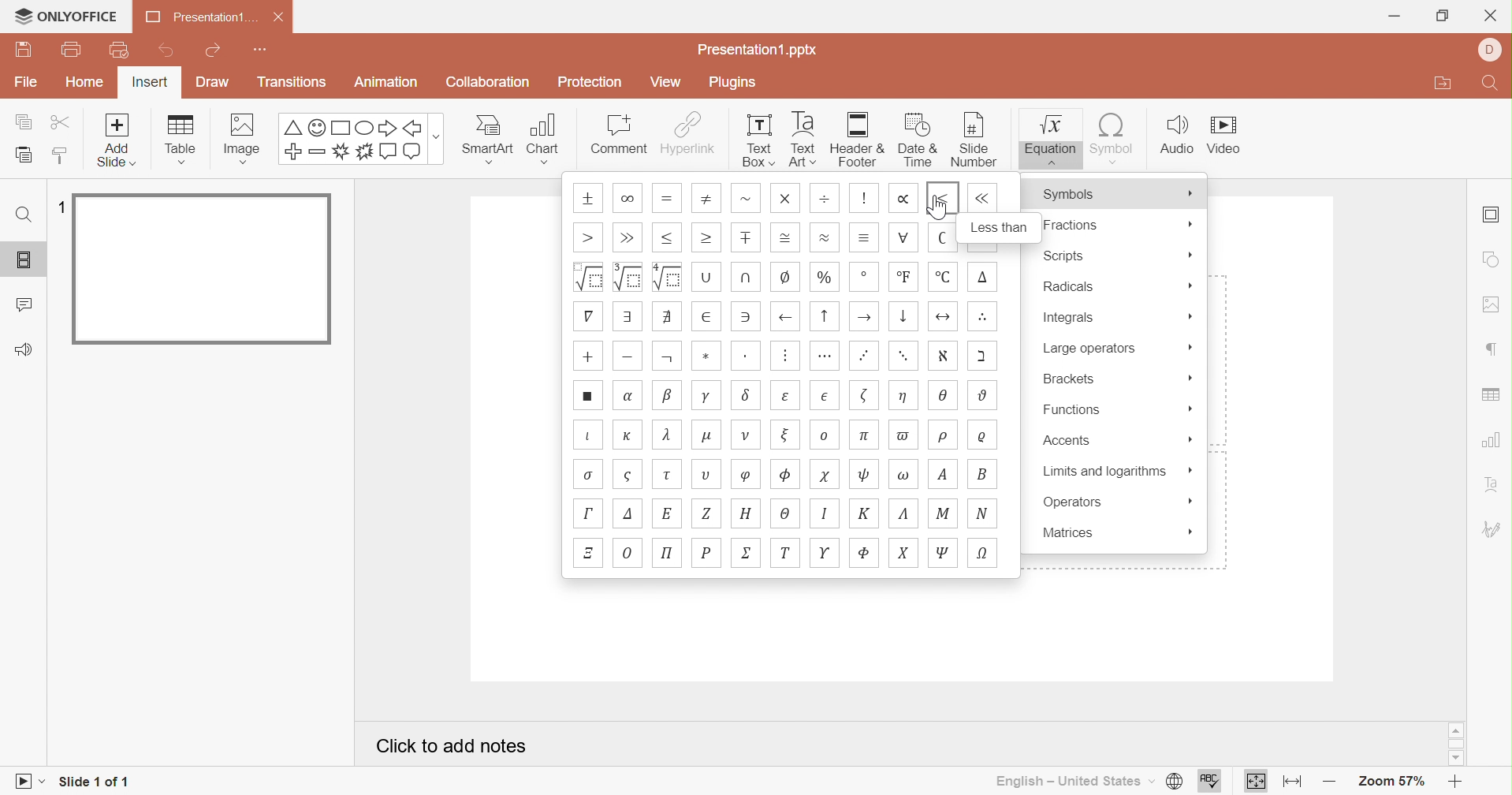  I want to click on Comments, so click(25, 303).